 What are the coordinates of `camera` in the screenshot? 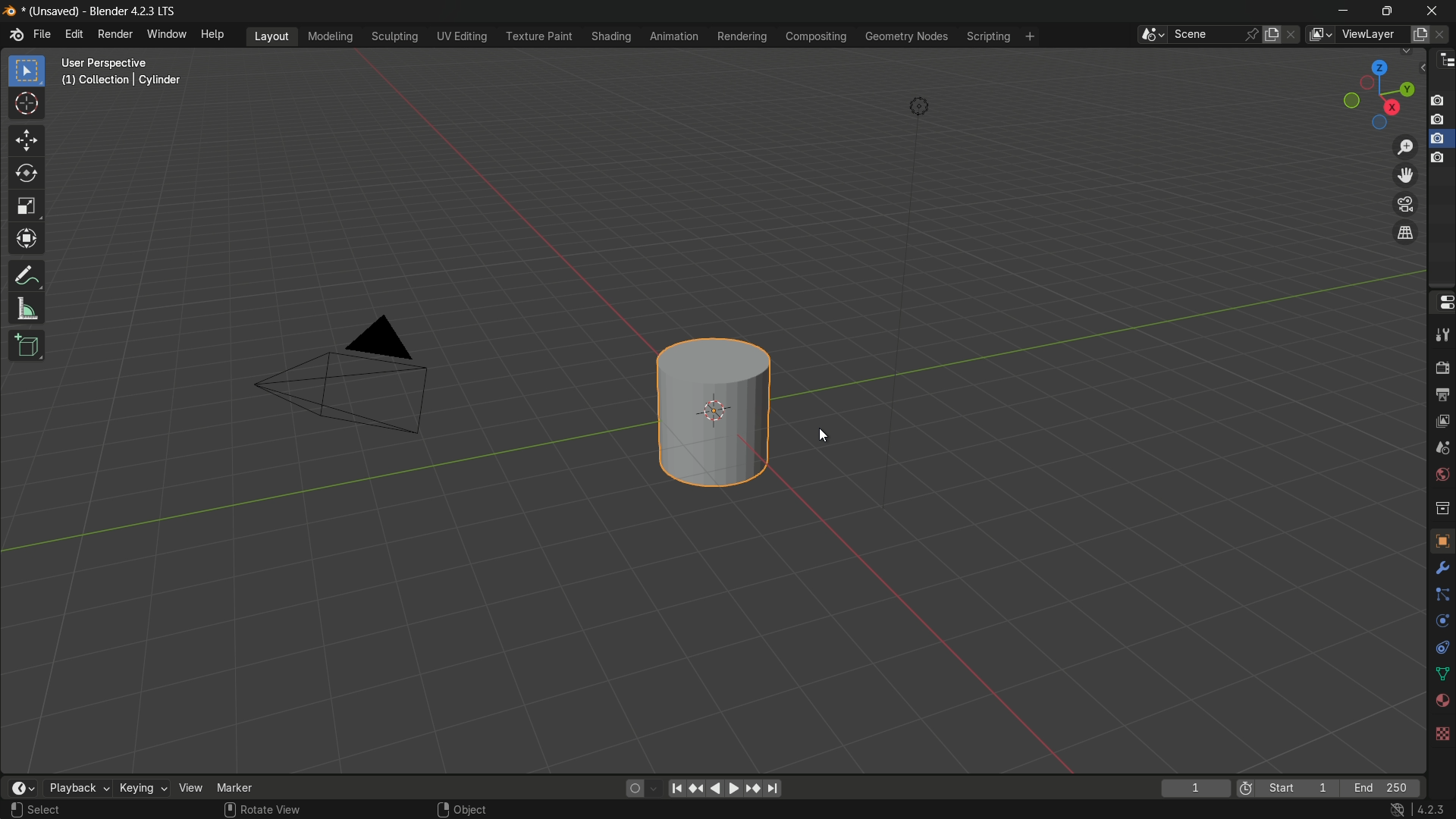 It's located at (354, 377).